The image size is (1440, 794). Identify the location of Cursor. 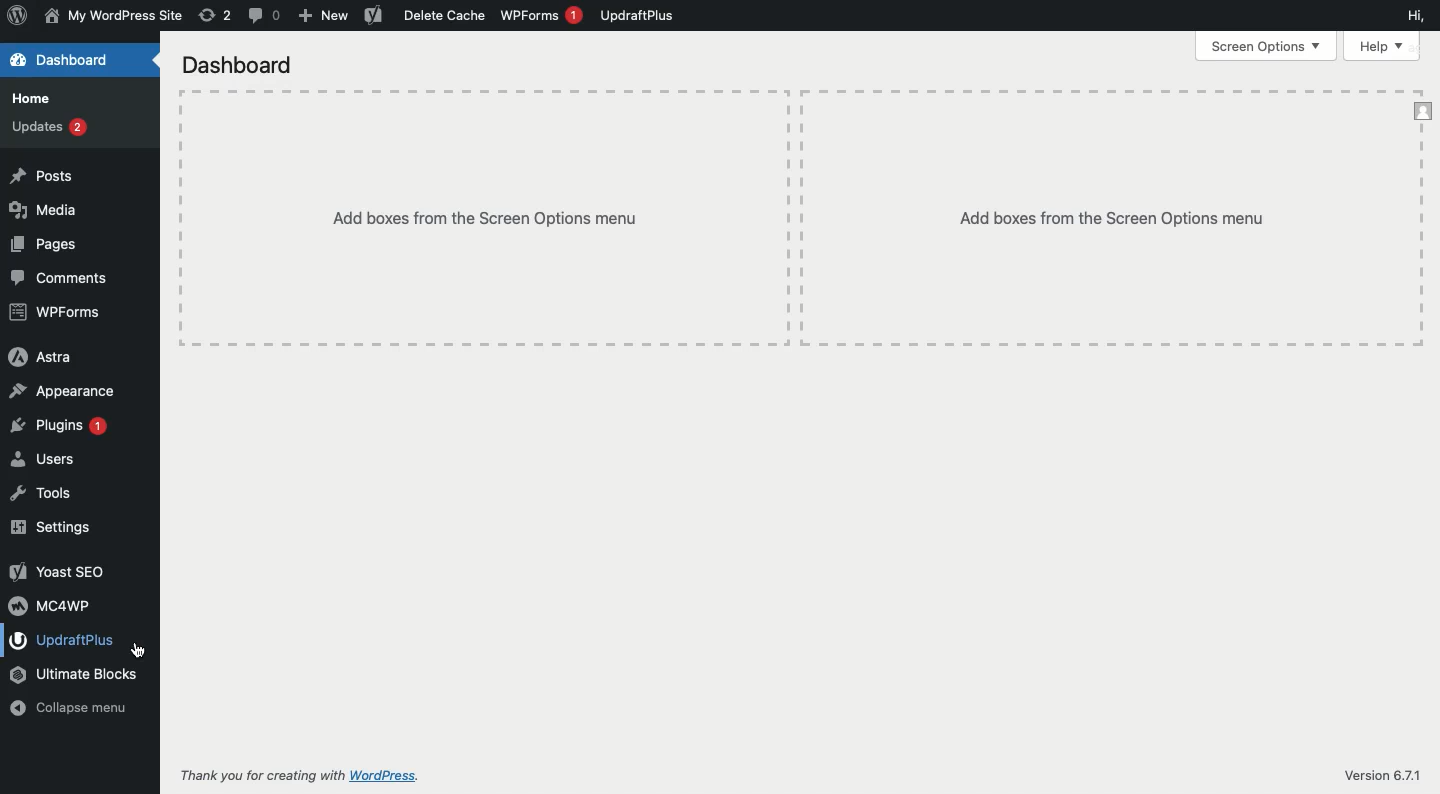
(139, 649).